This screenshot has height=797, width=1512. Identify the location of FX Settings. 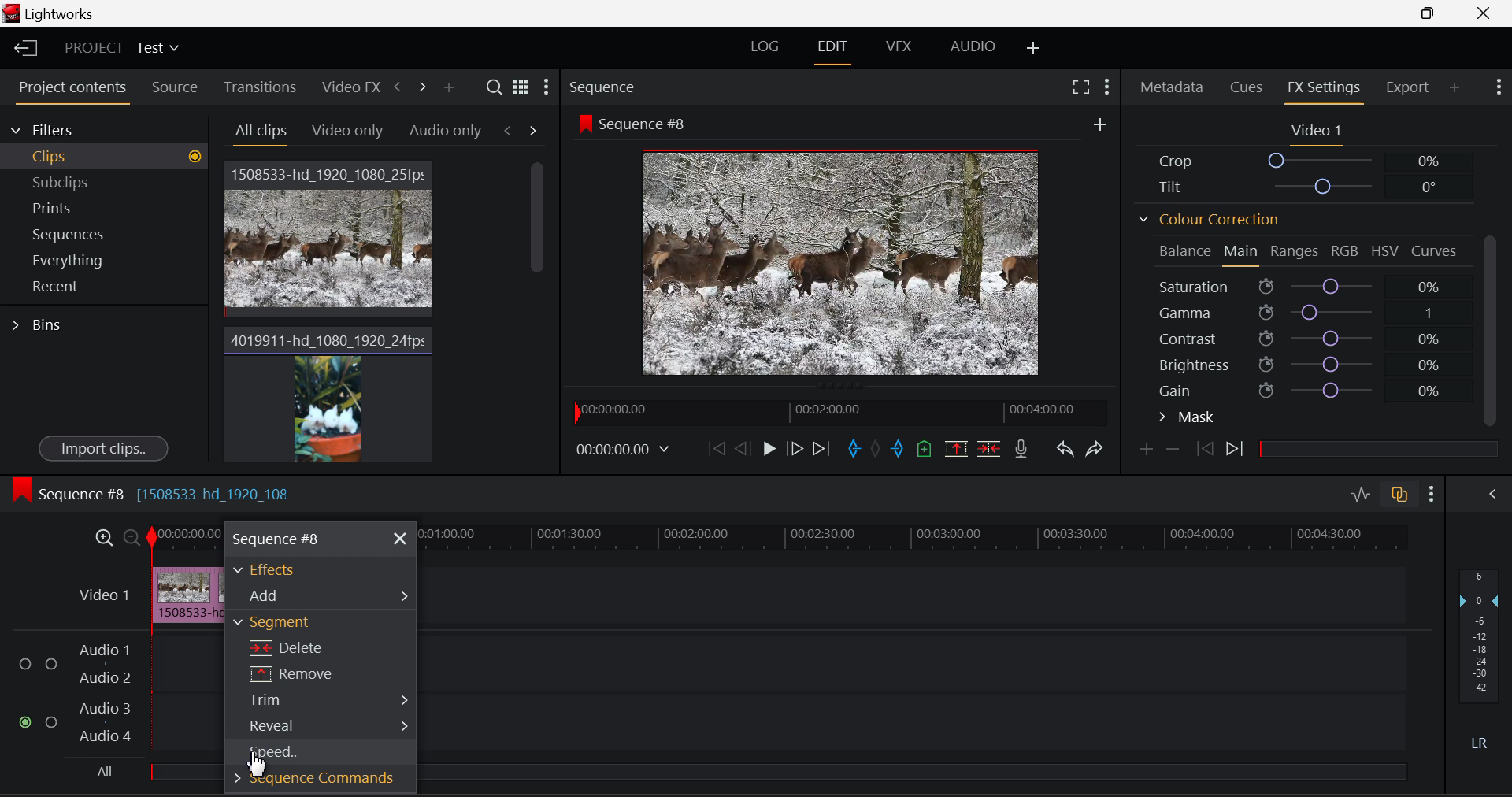
(1320, 88).